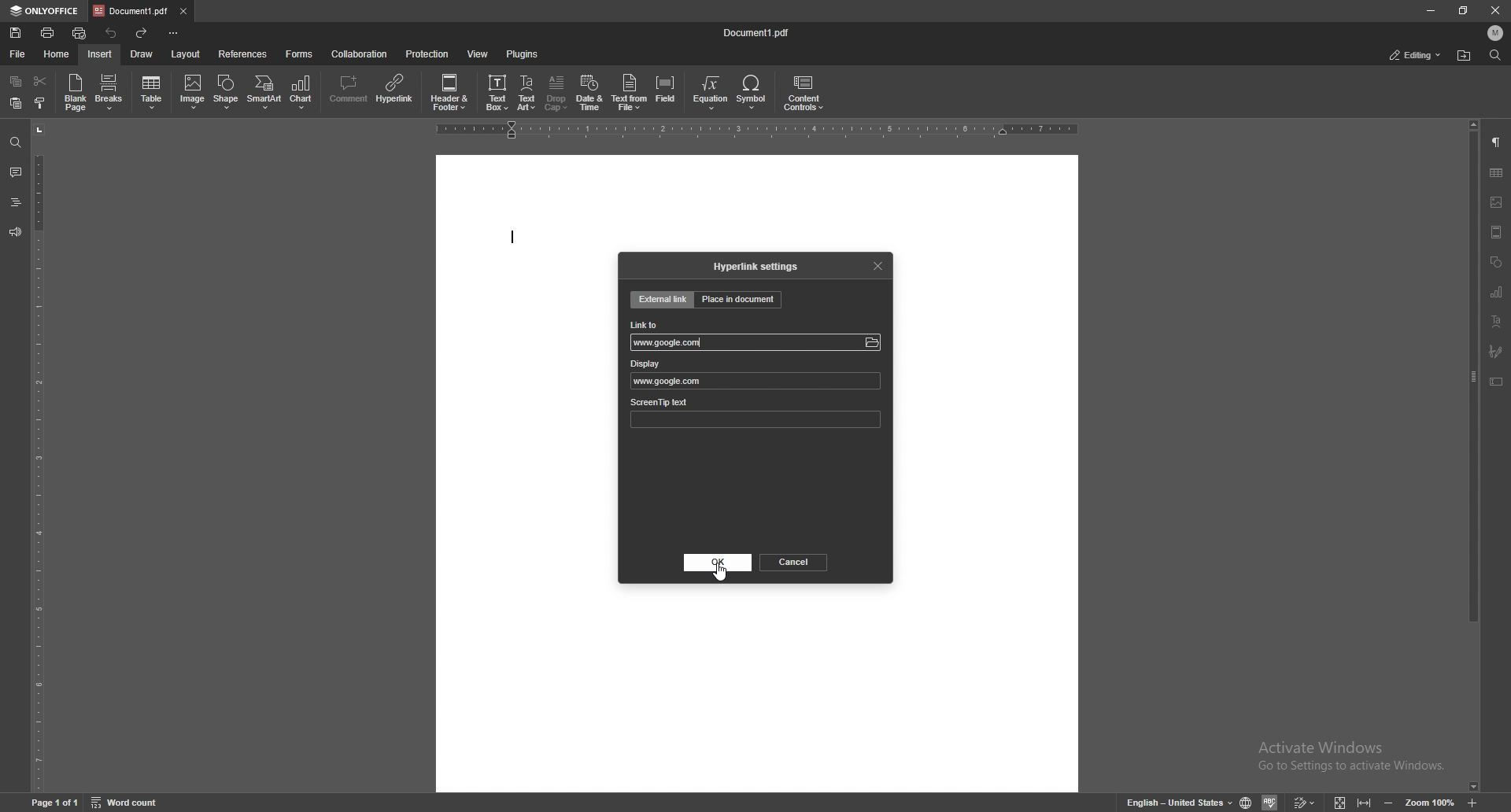 This screenshot has width=1511, height=812. Describe the element at coordinates (804, 92) in the screenshot. I see `content controls` at that location.